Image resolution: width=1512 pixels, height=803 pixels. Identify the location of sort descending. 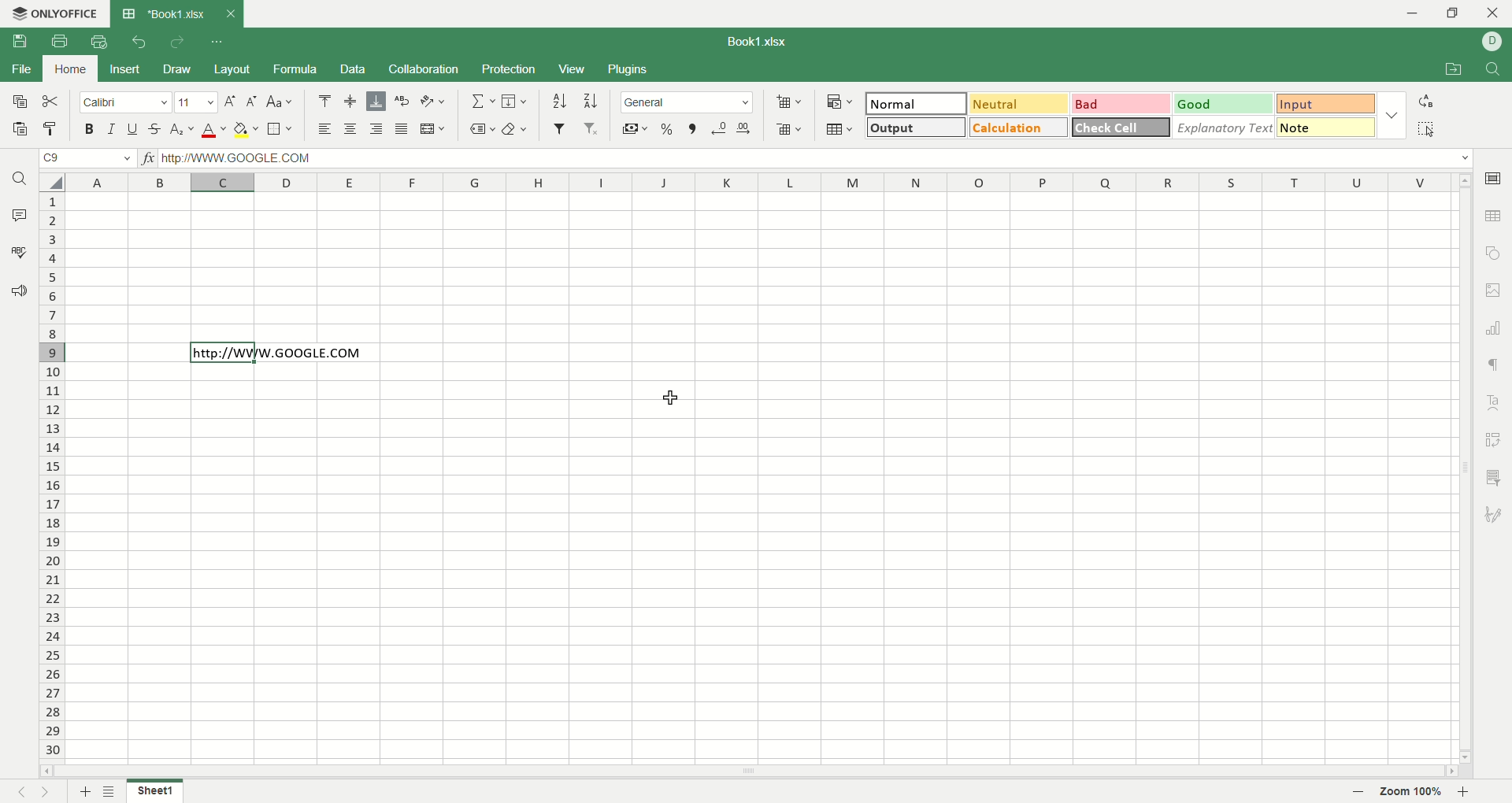
(589, 101).